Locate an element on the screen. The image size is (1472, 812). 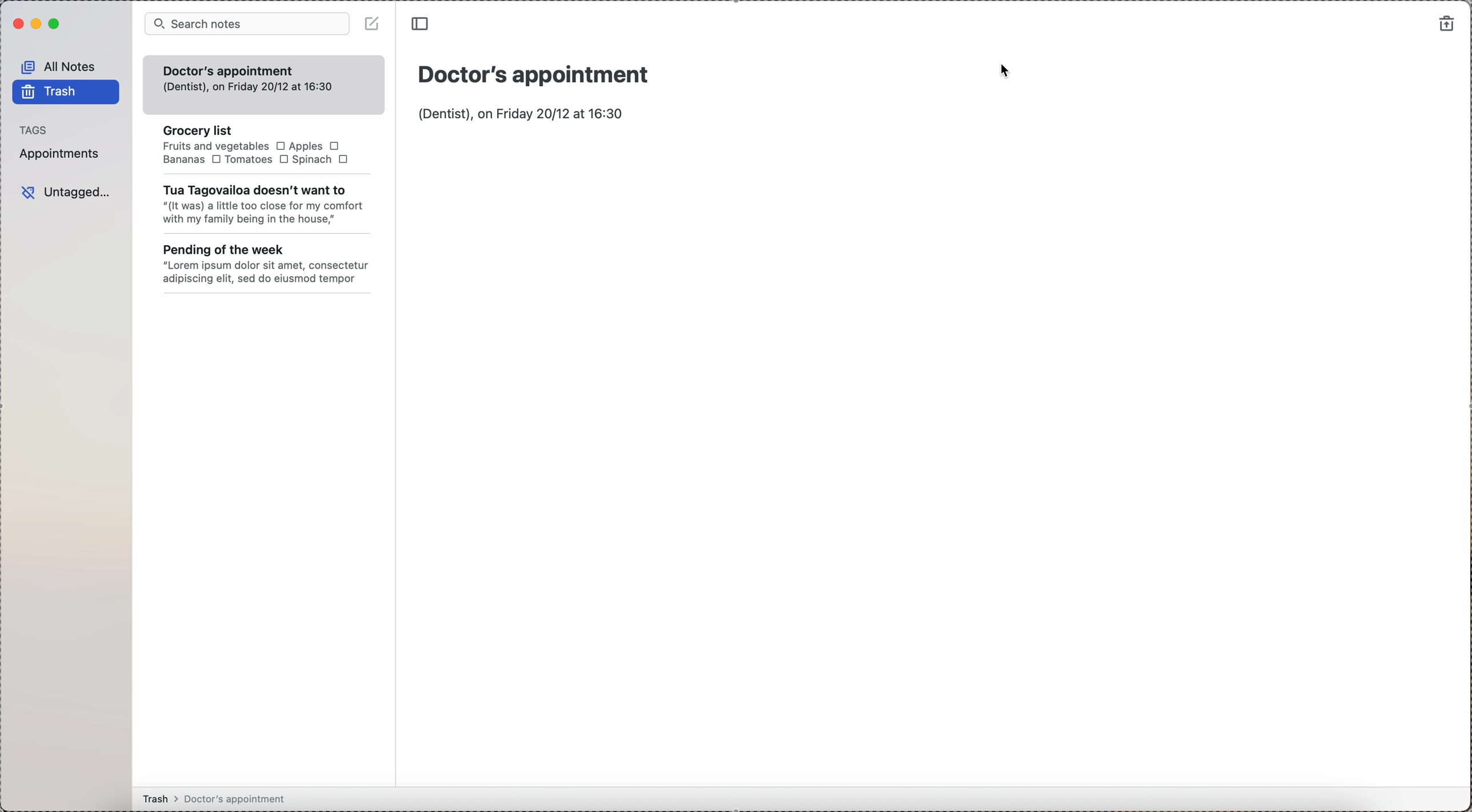
pending of the week is located at coordinates (238, 247).